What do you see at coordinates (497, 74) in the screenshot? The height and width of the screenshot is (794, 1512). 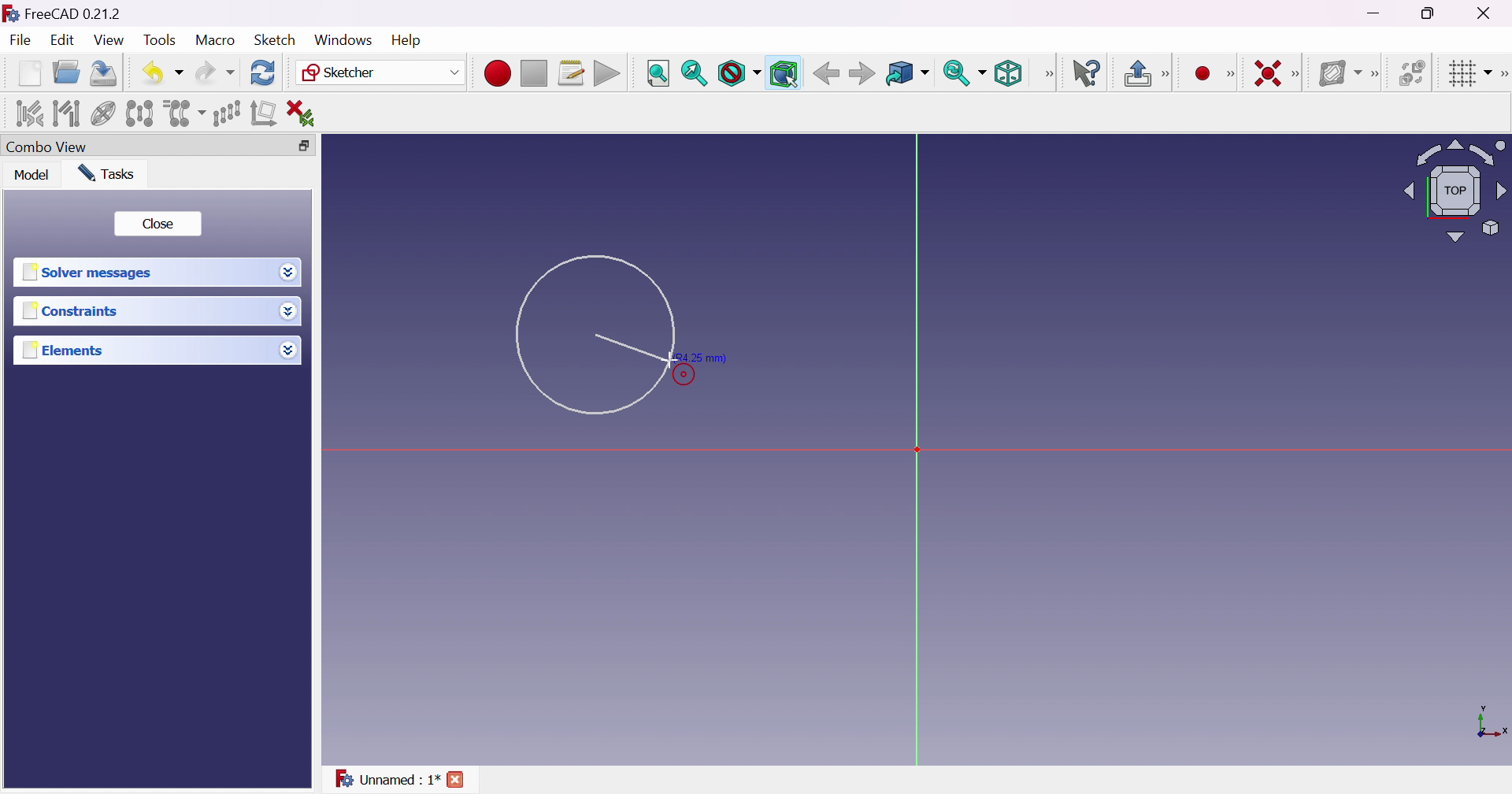 I see `Macro recording...` at bounding box center [497, 74].